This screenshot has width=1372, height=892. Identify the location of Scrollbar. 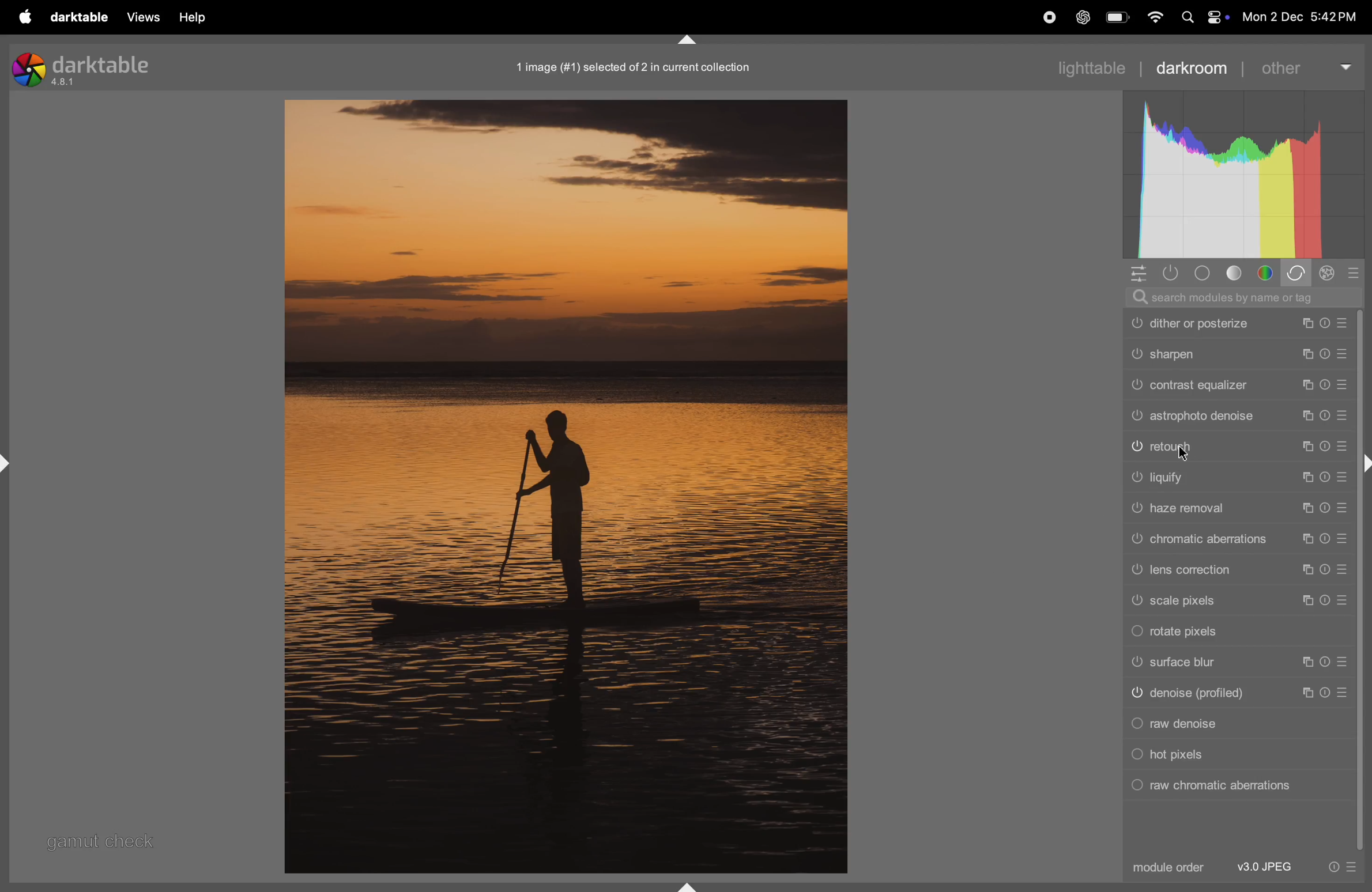
(1363, 663).